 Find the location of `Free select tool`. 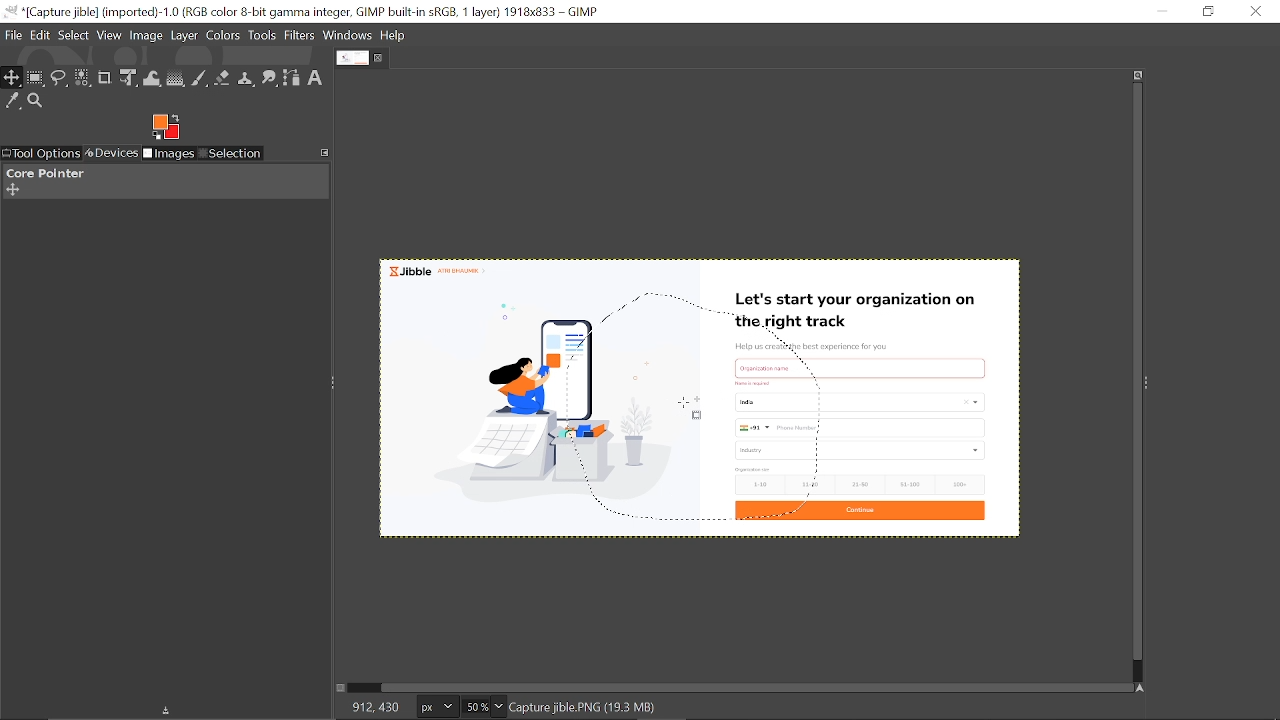

Free select tool is located at coordinates (60, 79).